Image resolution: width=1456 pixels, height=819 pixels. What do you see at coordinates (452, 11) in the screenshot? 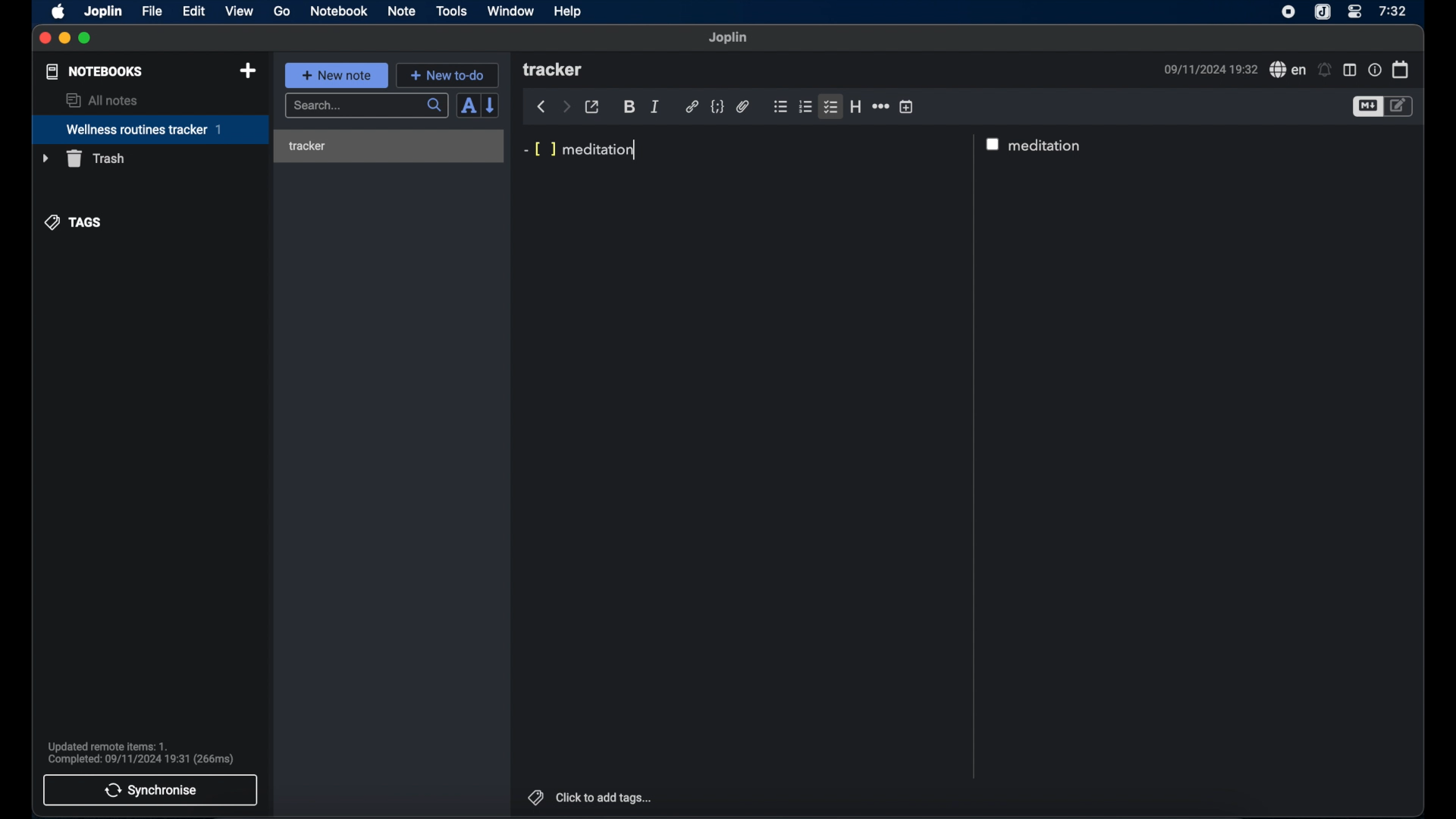
I see `tools` at bounding box center [452, 11].